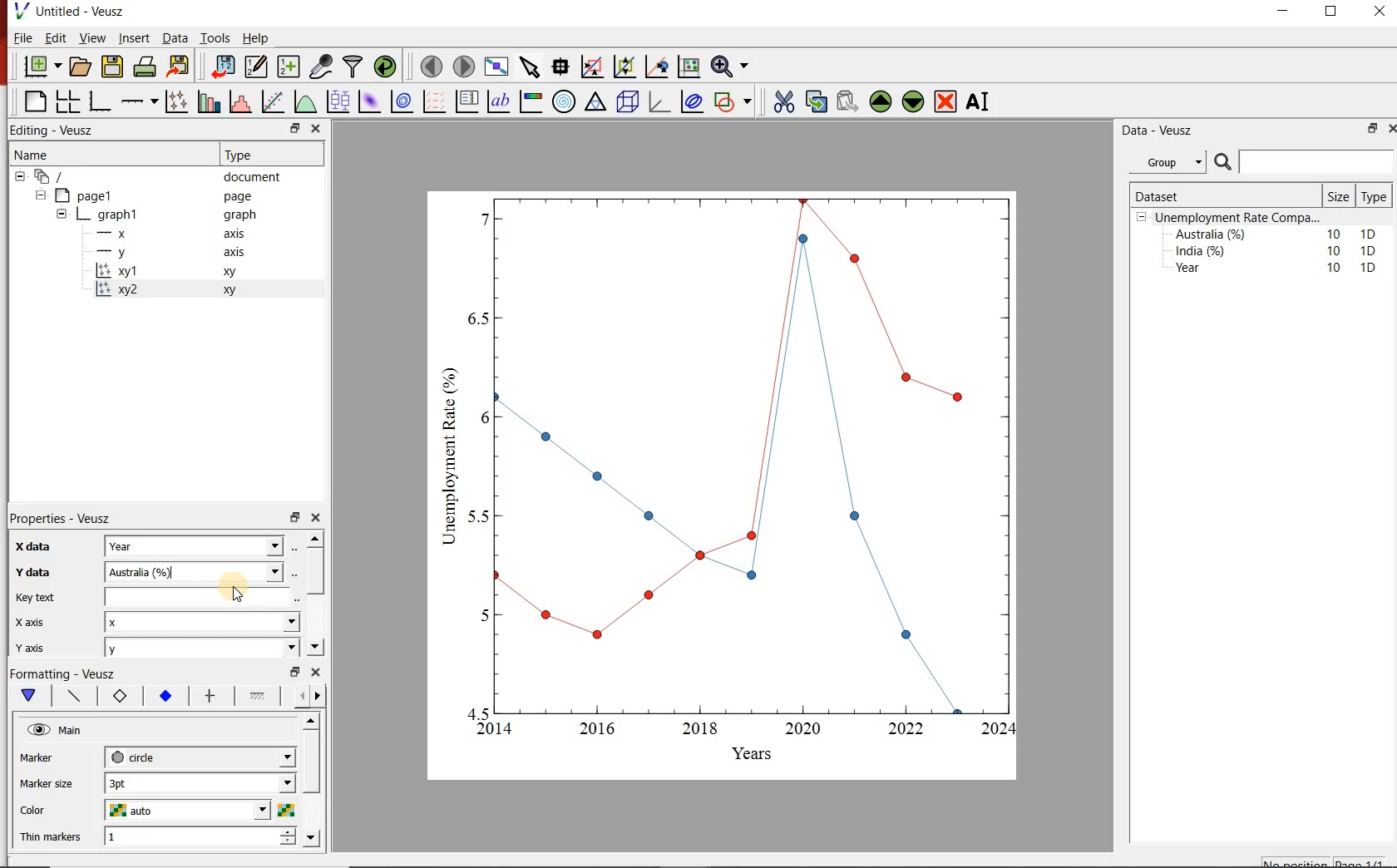 The width and height of the screenshot is (1397, 868). I want to click on minimise, so click(1371, 128).